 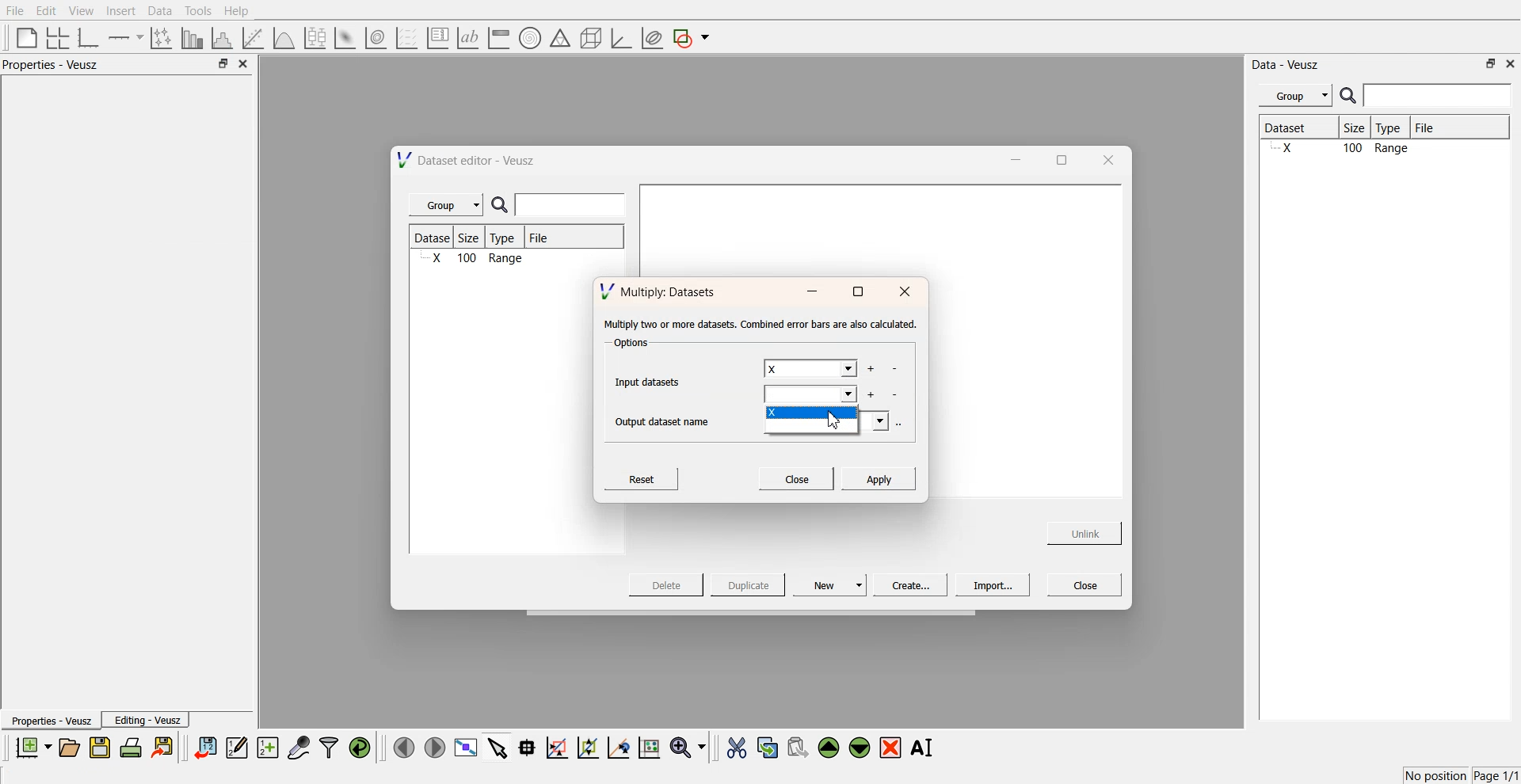 What do you see at coordinates (857, 292) in the screenshot?
I see `maximise` at bounding box center [857, 292].